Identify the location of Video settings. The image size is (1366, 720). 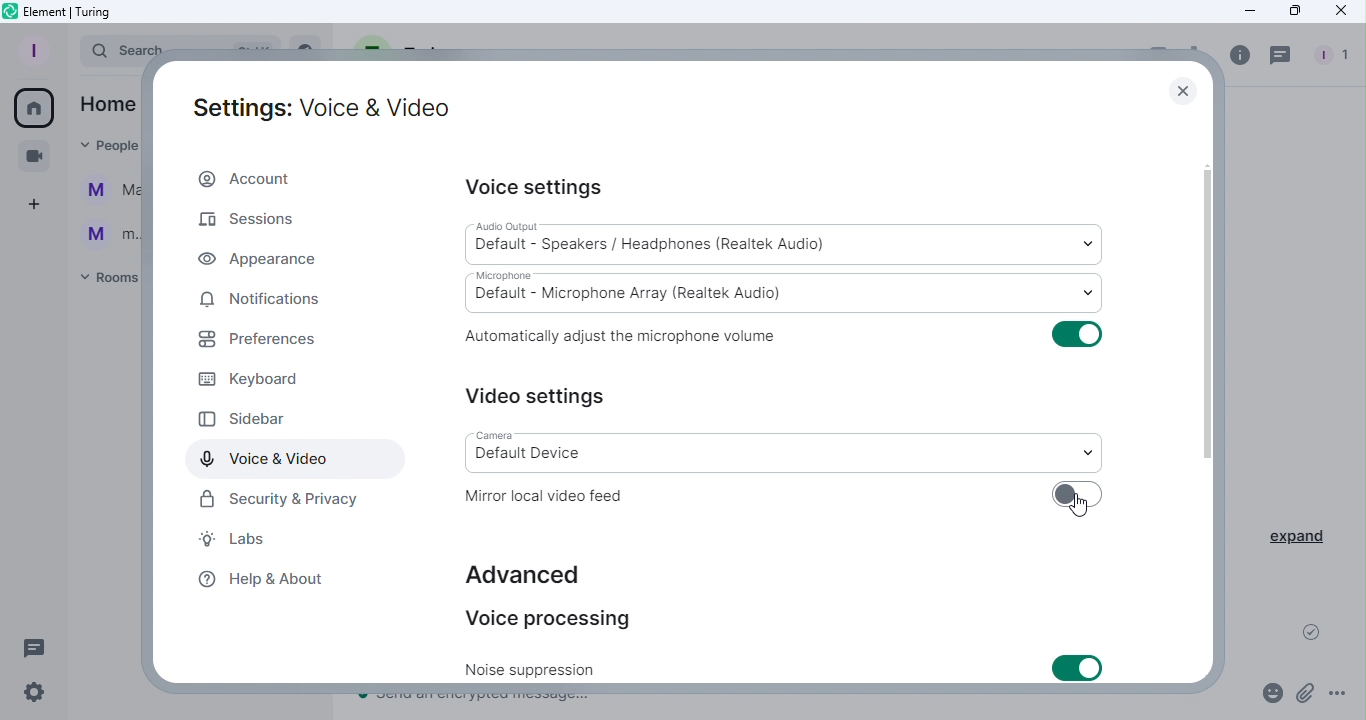
(538, 393).